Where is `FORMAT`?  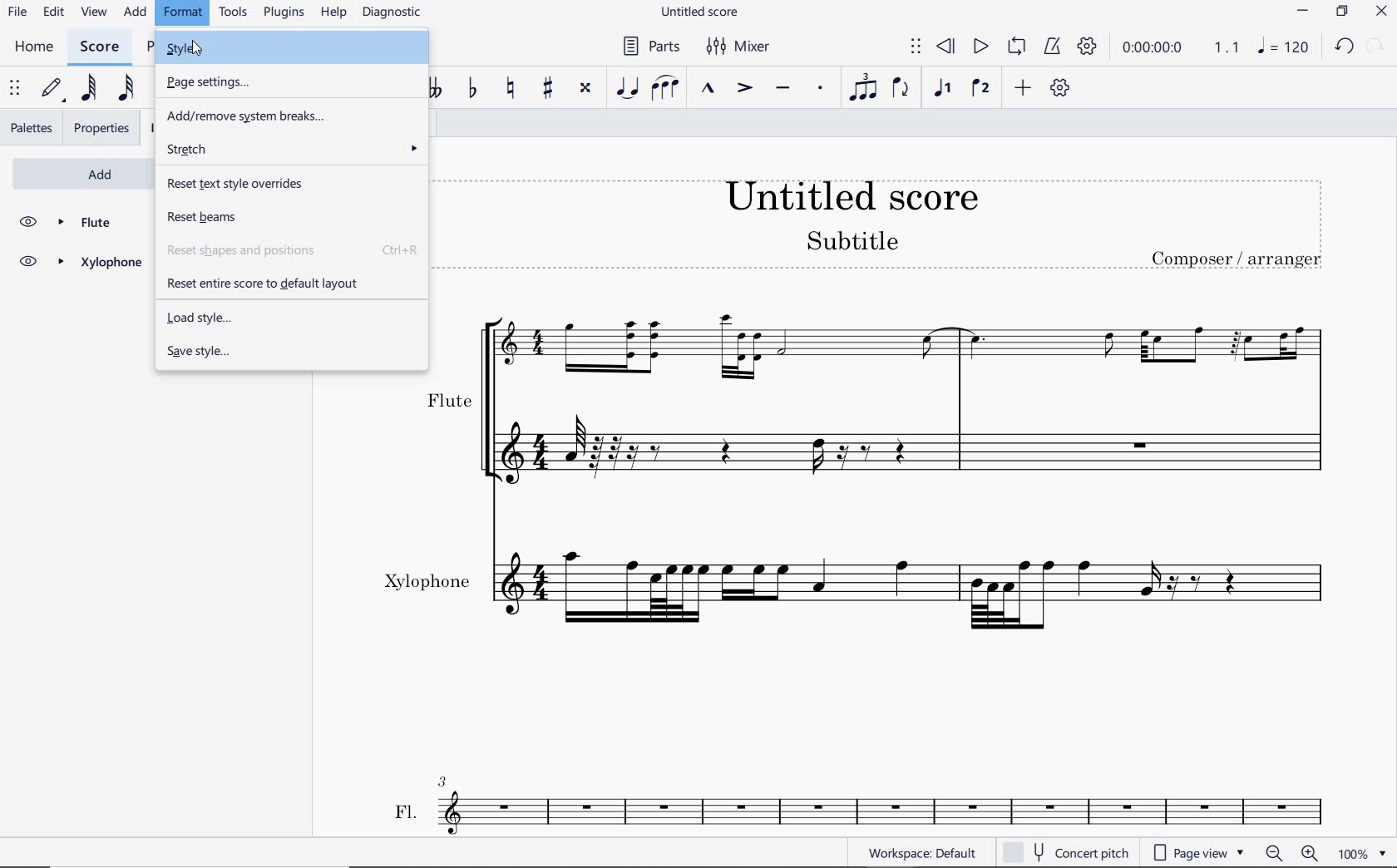 FORMAT is located at coordinates (184, 13).